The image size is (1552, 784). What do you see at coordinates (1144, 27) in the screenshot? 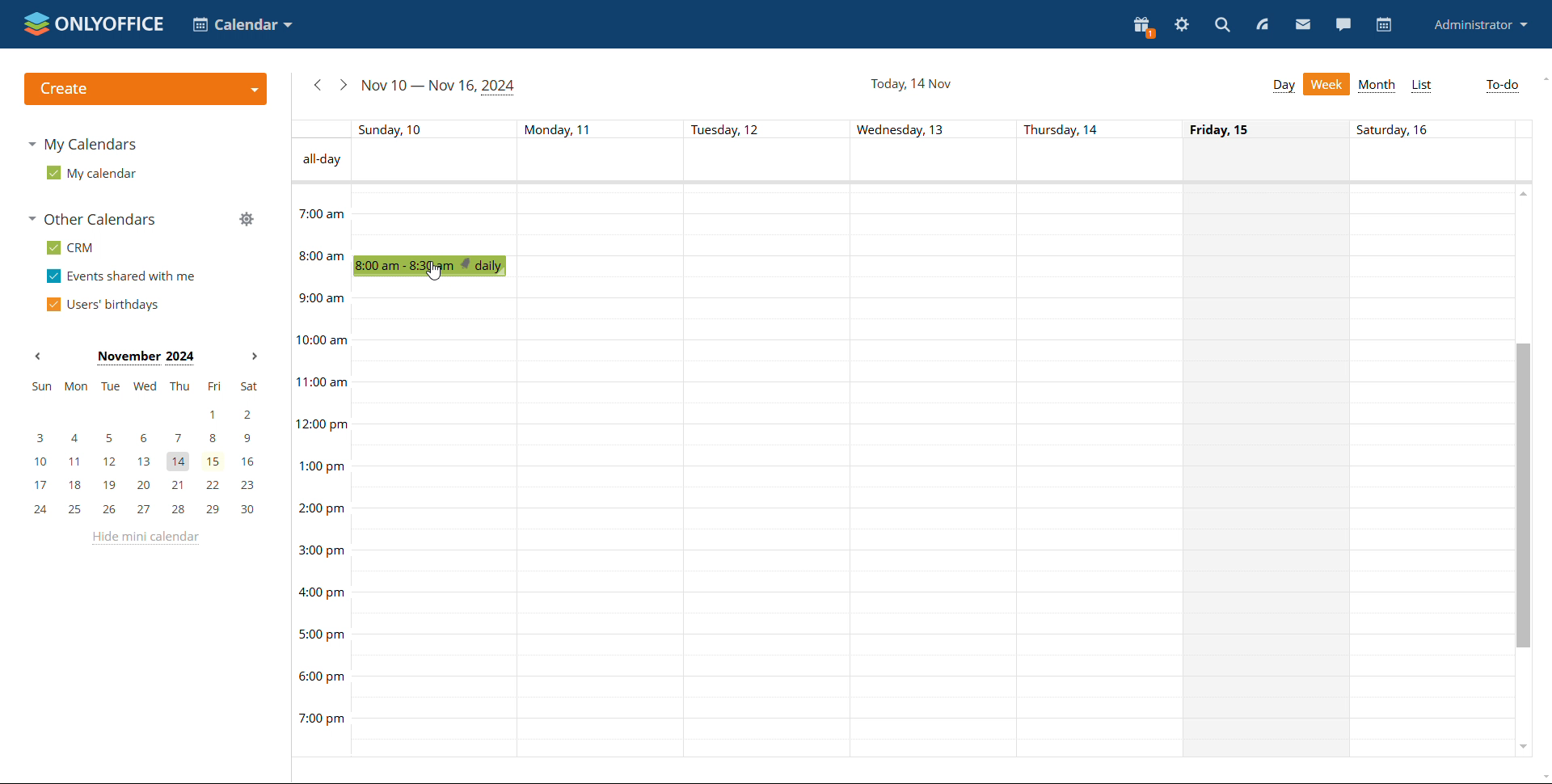
I see `present` at bounding box center [1144, 27].